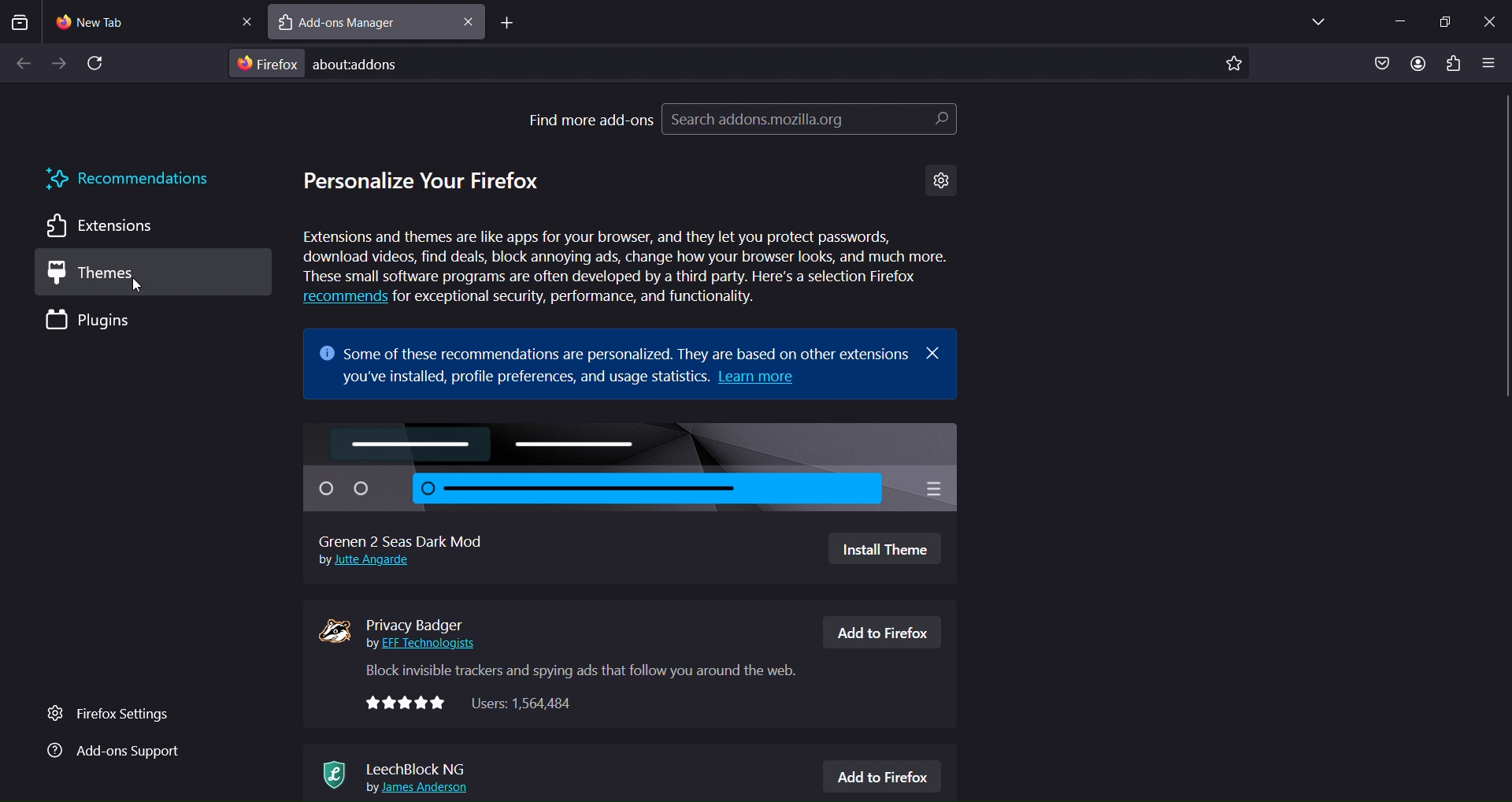  What do you see at coordinates (409, 542) in the screenshot?
I see `Grenen 2 Seas Dark Mod` at bounding box center [409, 542].